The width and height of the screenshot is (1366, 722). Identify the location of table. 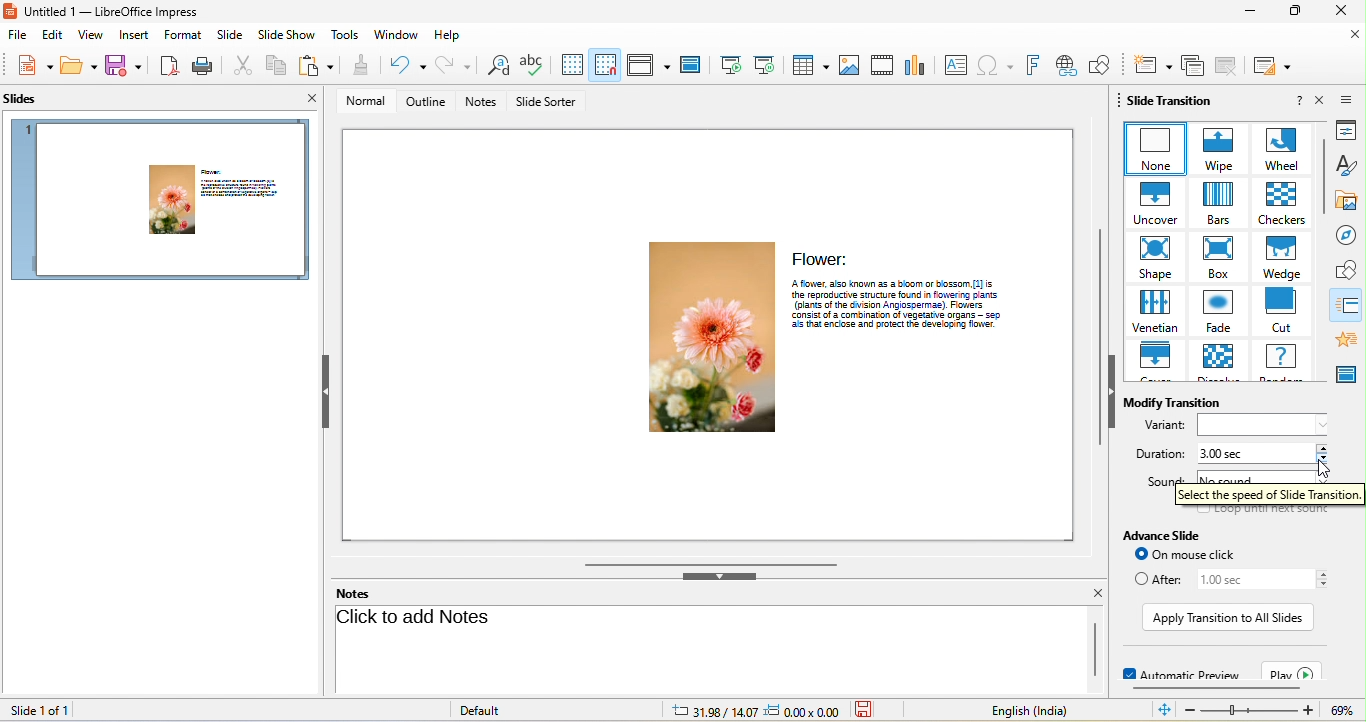
(807, 65).